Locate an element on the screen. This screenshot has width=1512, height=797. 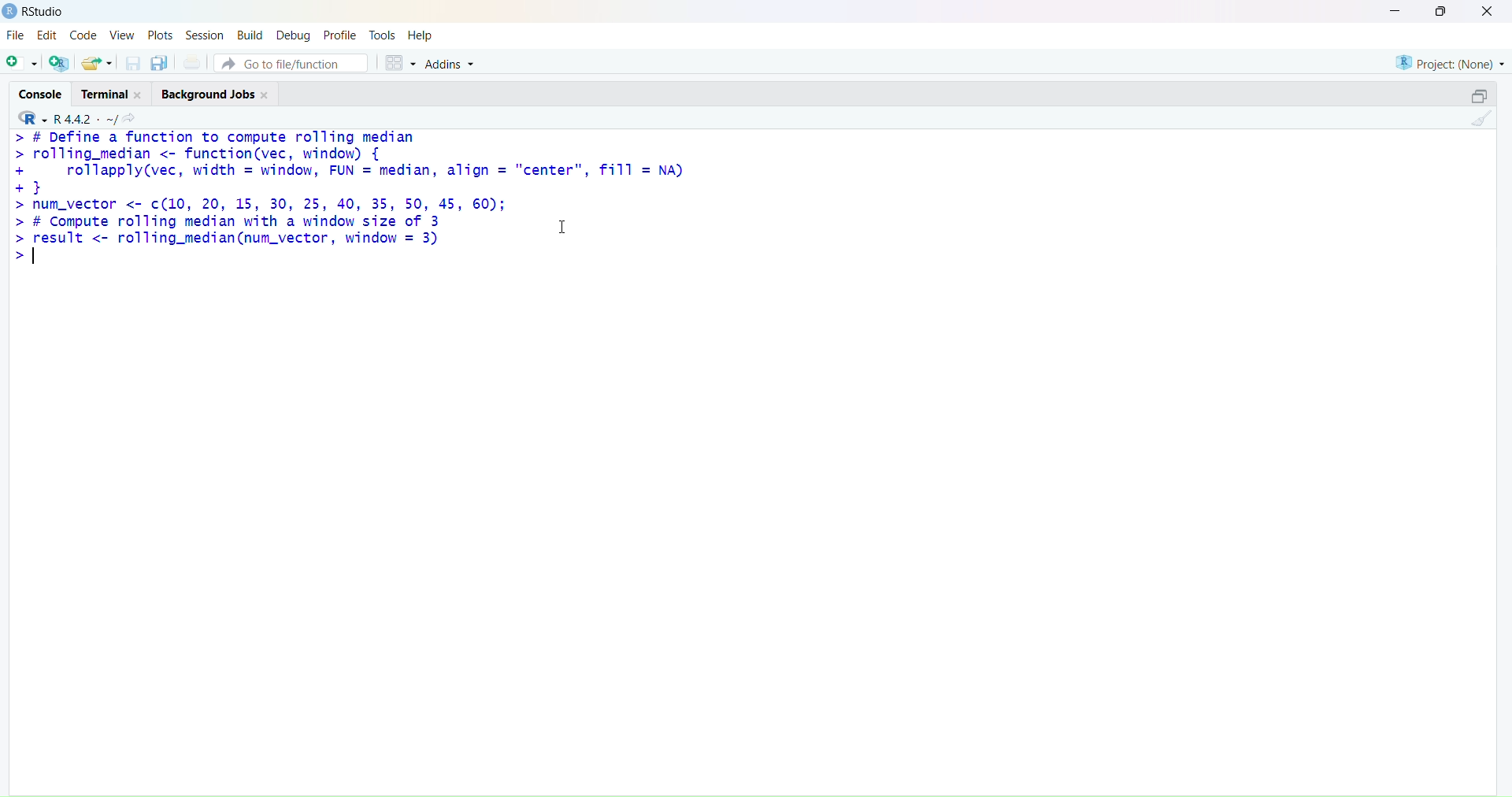
print is located at coordinates (192, 62).